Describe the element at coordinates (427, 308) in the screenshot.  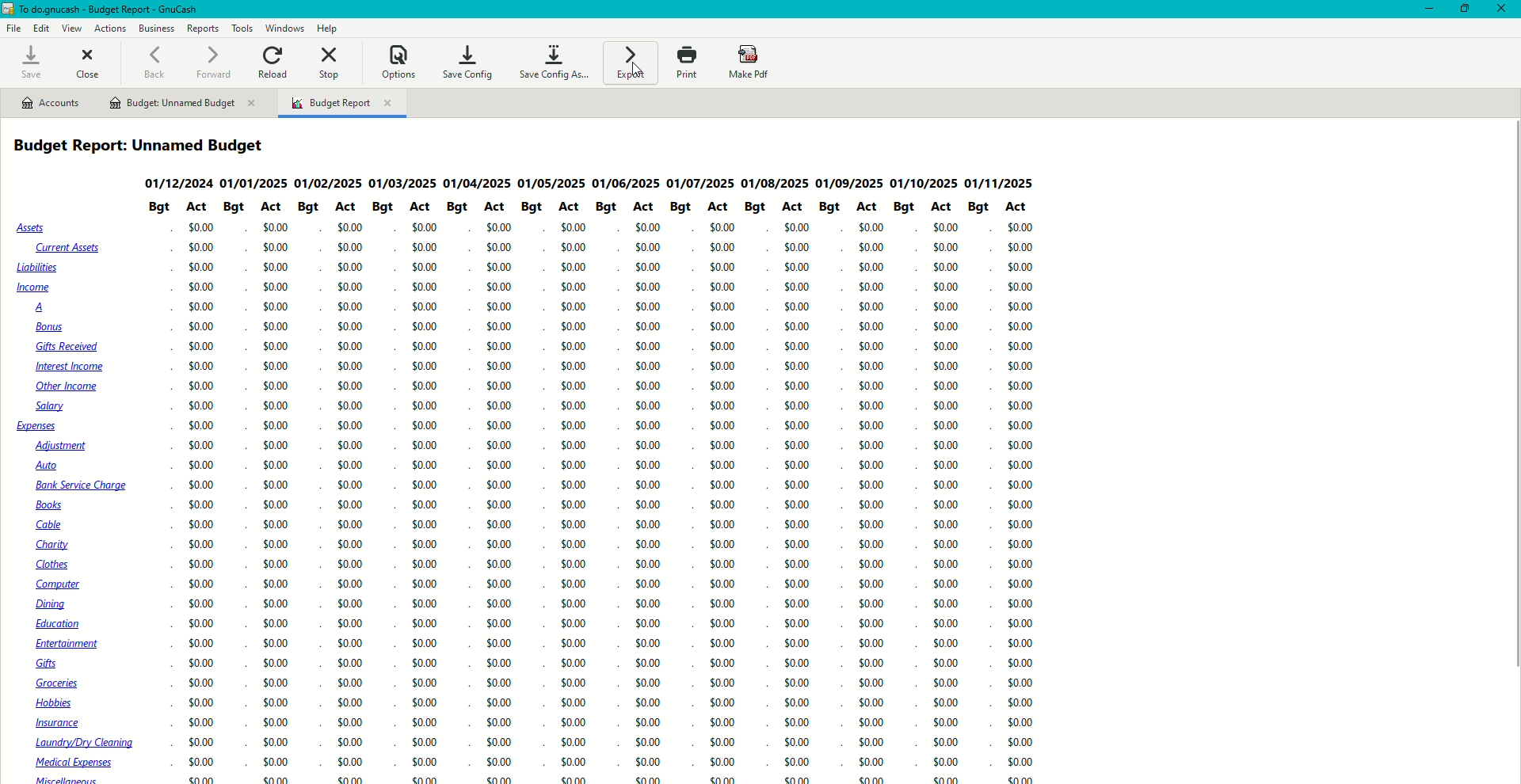
I see `$0.00` at that location.